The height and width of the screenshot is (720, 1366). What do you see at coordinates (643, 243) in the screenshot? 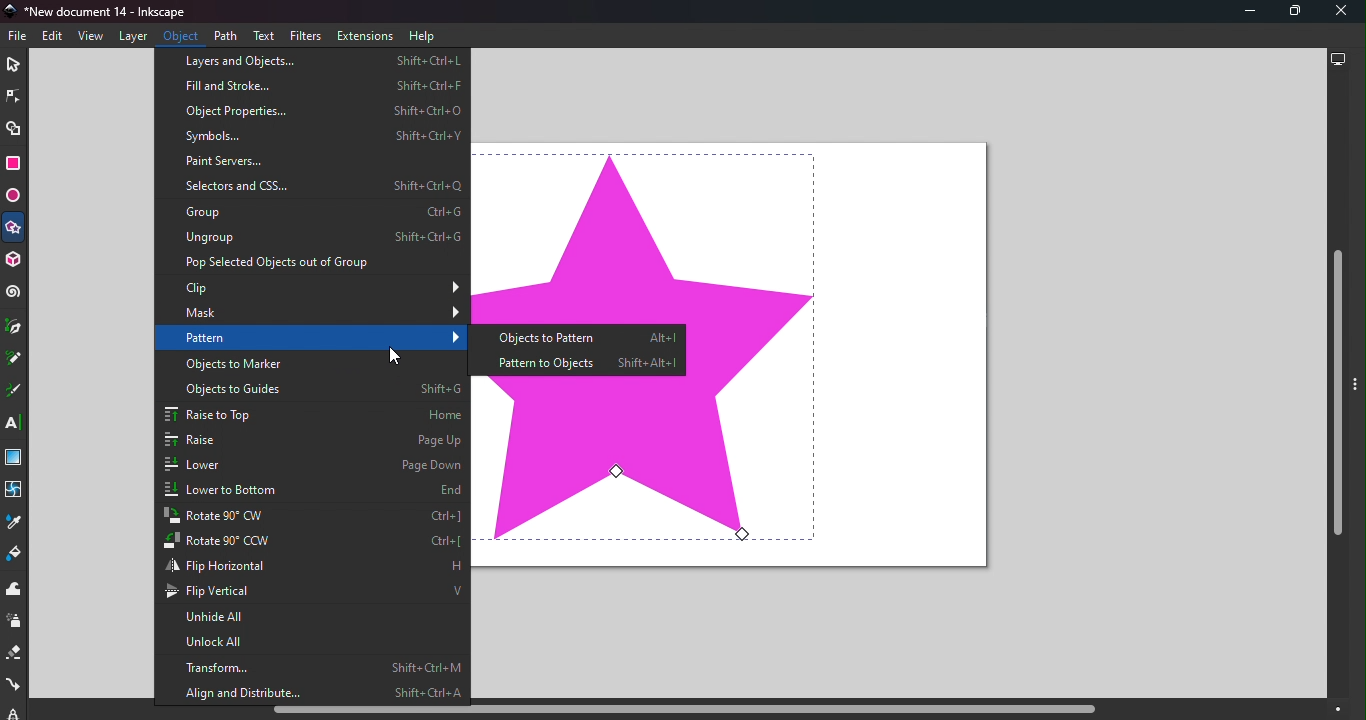
I see `shape` at bounding box center [643, 243].